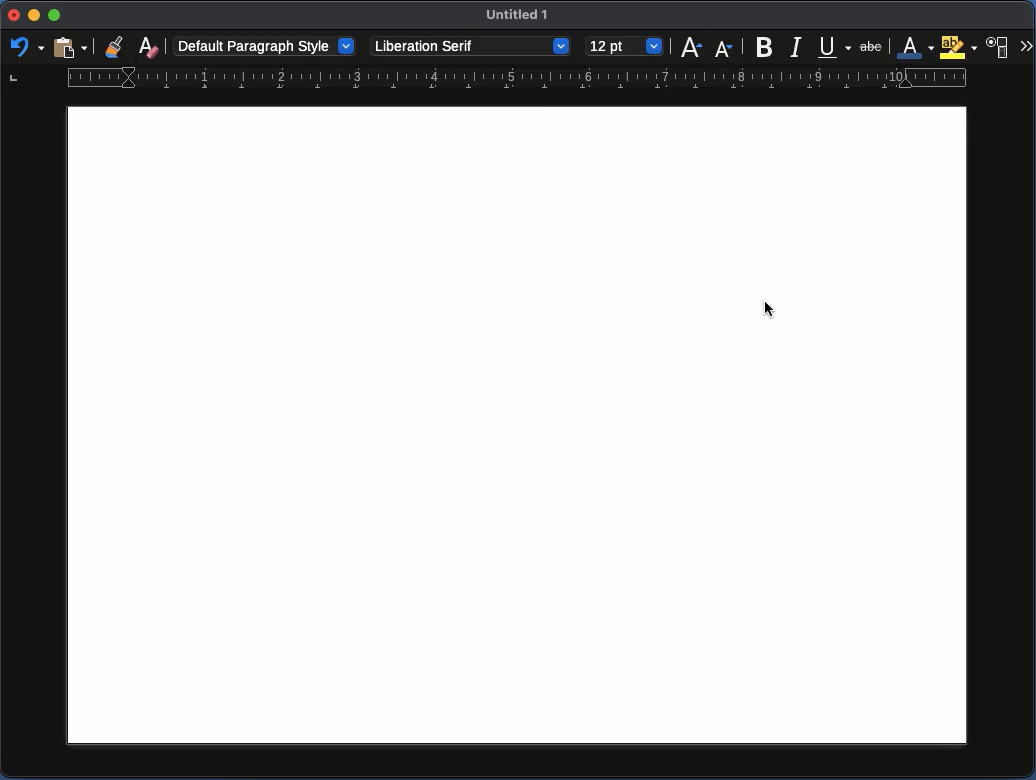 The image size is (1036, 780). I want to click on Page, so click(516, 426).